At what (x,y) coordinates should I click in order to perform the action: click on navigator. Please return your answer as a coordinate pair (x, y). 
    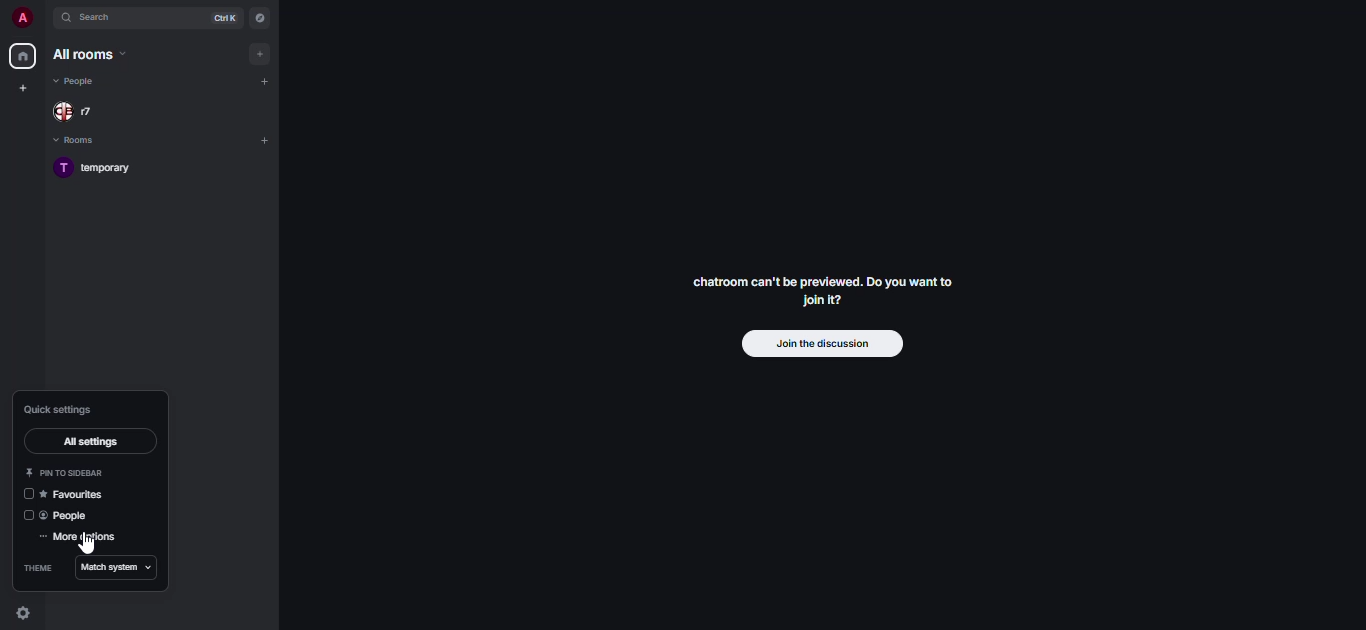
    Looking at the image, I should click on (259, 21).